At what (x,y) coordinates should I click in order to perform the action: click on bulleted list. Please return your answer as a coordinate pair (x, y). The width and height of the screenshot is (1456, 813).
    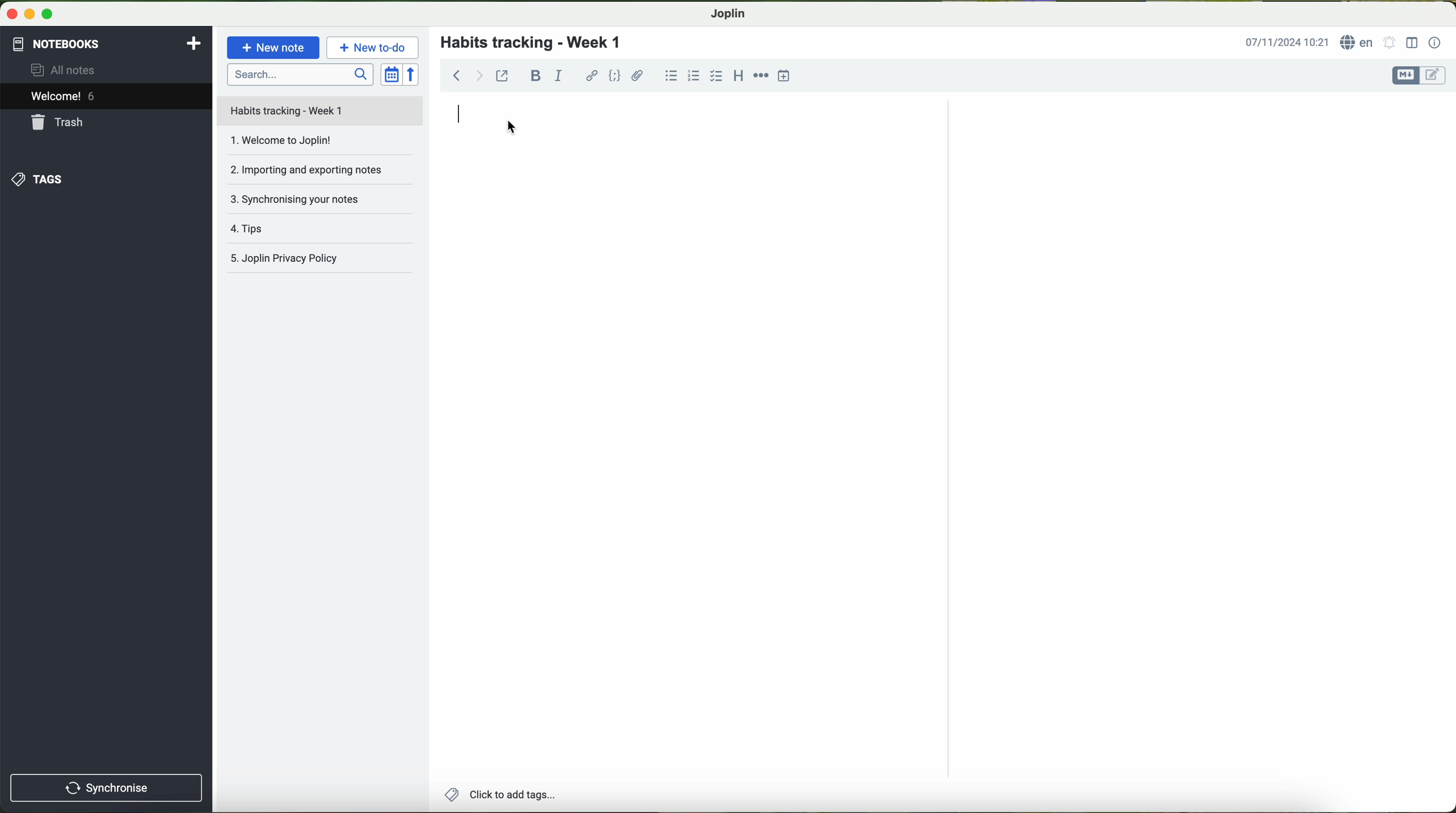
    Looking at the image, I should click on (671, 75).